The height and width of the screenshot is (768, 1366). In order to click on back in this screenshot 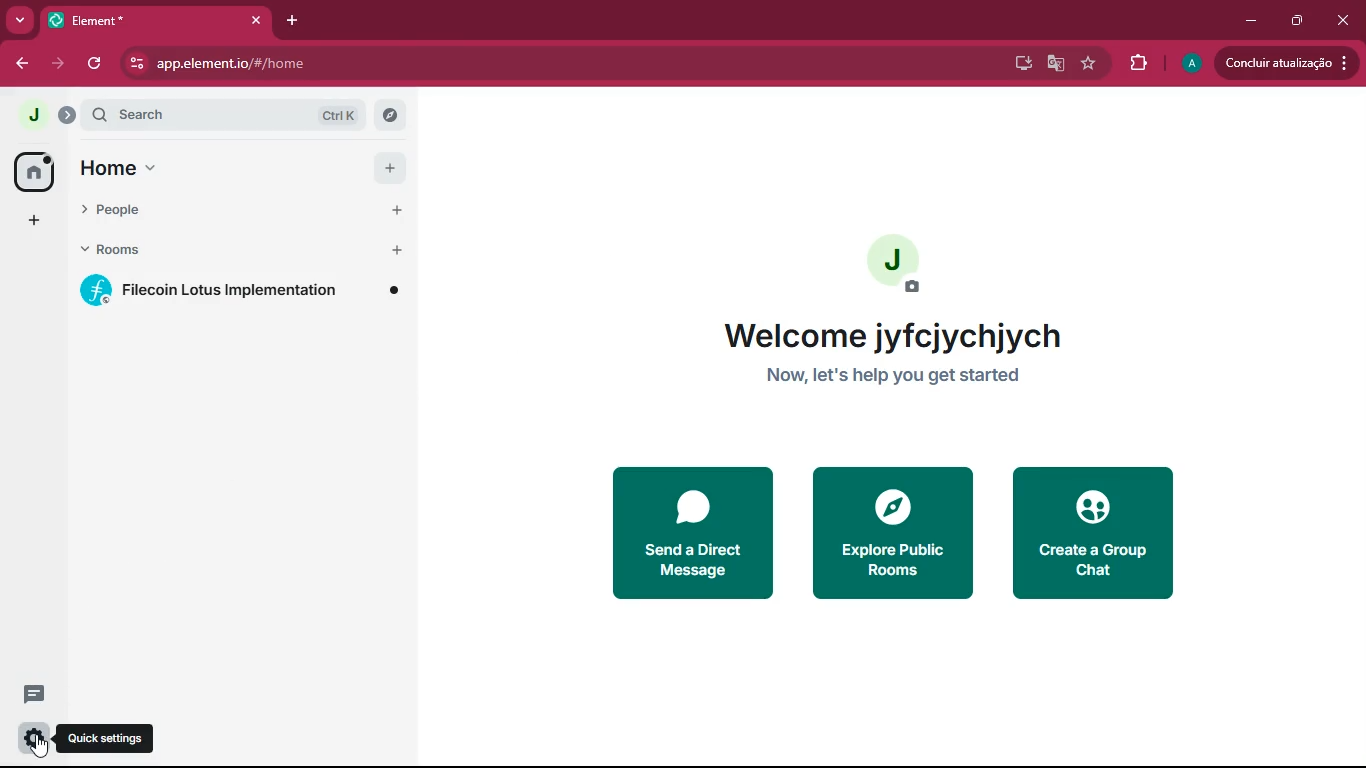, I will do `click(18, 64)`.